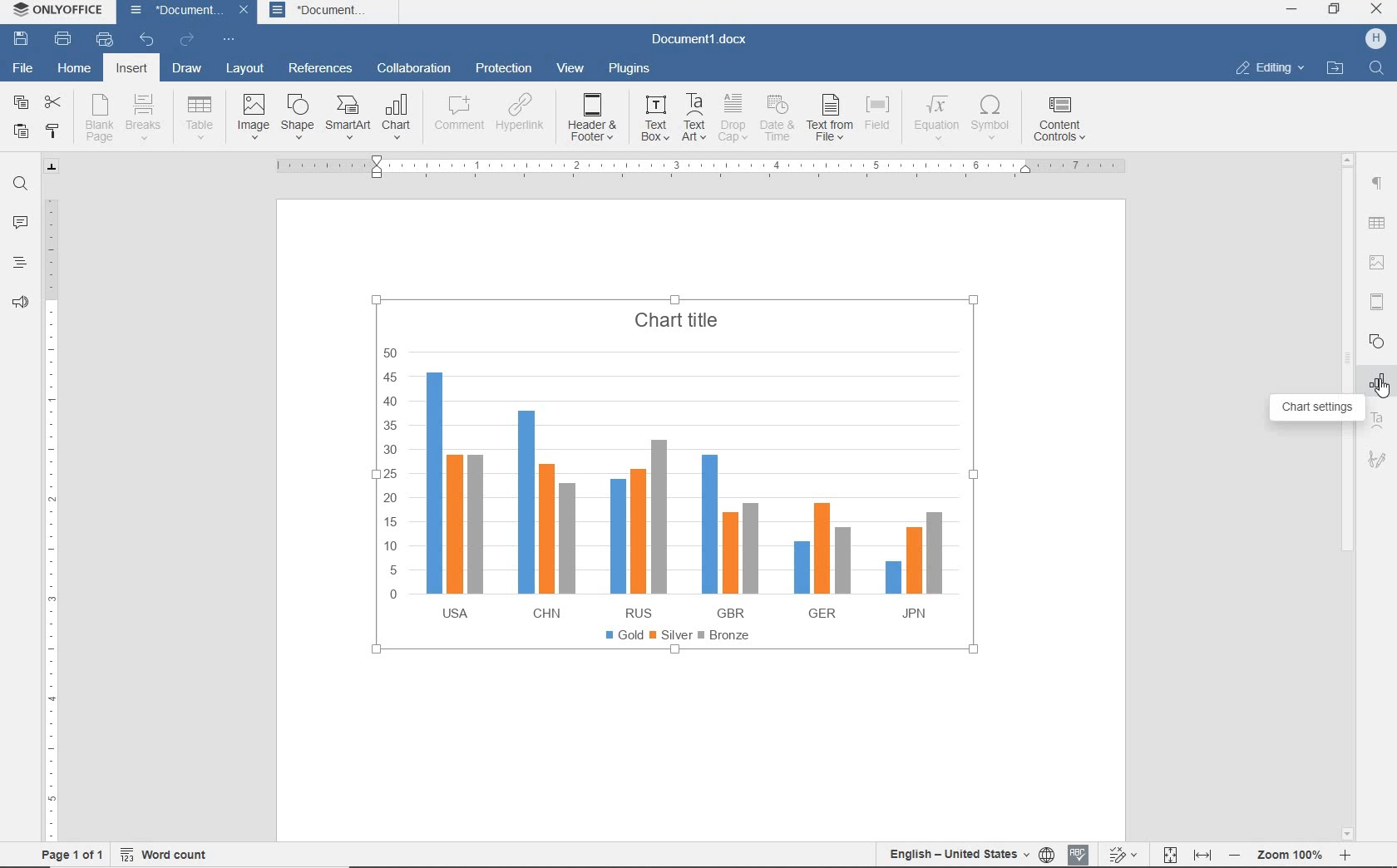 The image size is (1397, 868). I want to click on fit to page, so click(1167, 854).